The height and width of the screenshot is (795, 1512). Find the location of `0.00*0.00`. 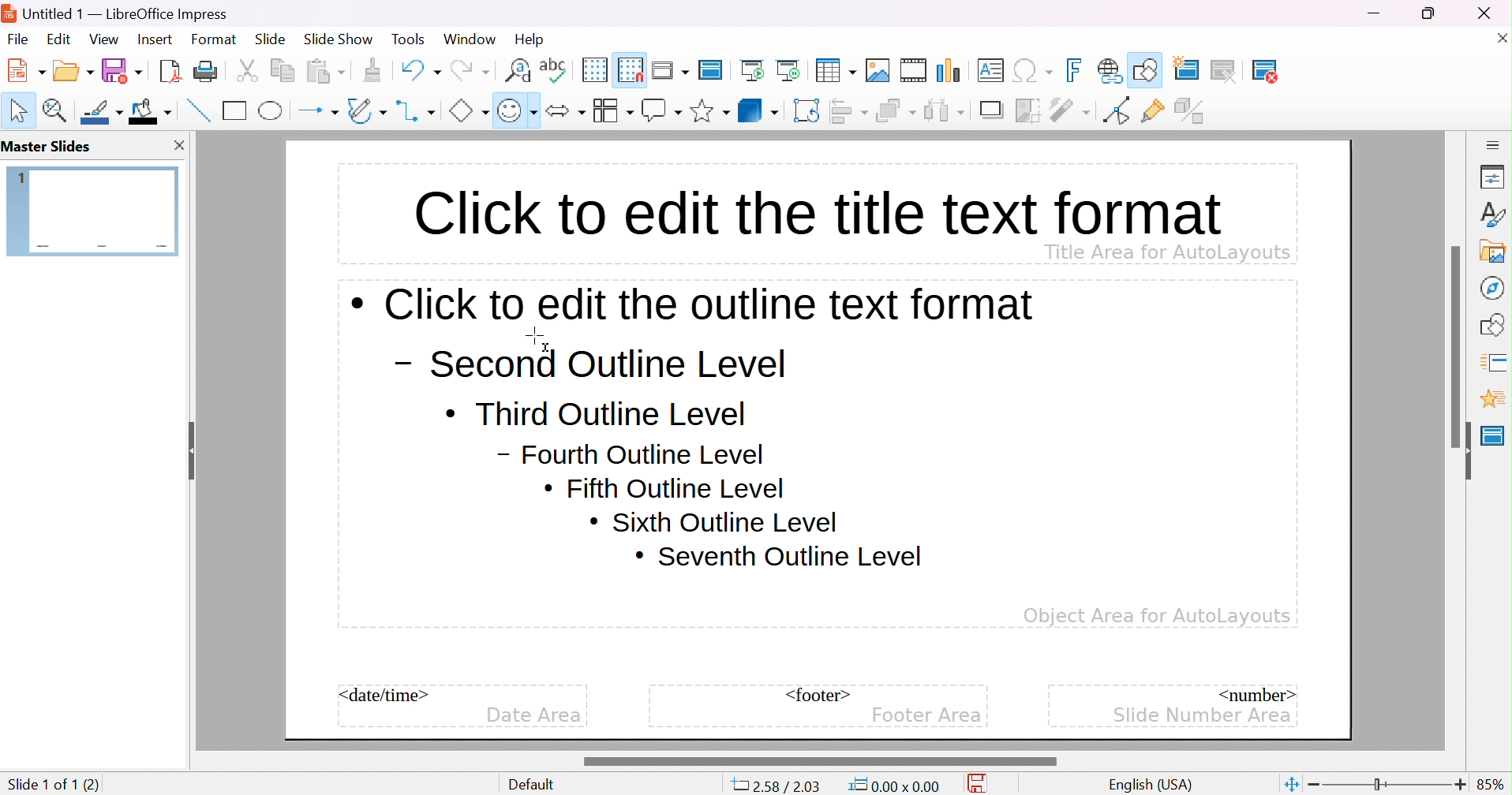

0.00*0.00 is located at coordinates (893, 786).